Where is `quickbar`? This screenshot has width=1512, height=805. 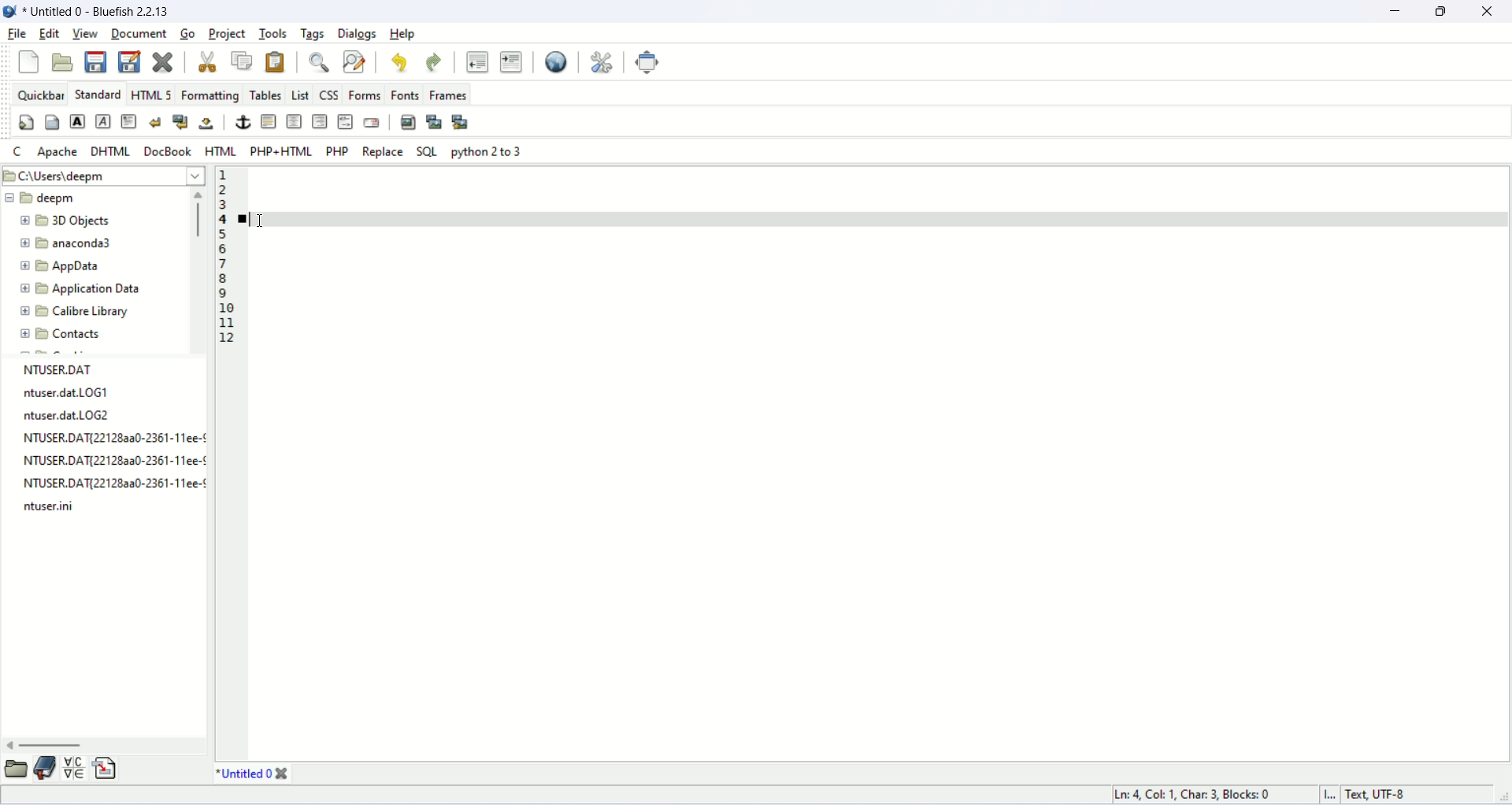 quickbar is located at coordinates (42, 94).